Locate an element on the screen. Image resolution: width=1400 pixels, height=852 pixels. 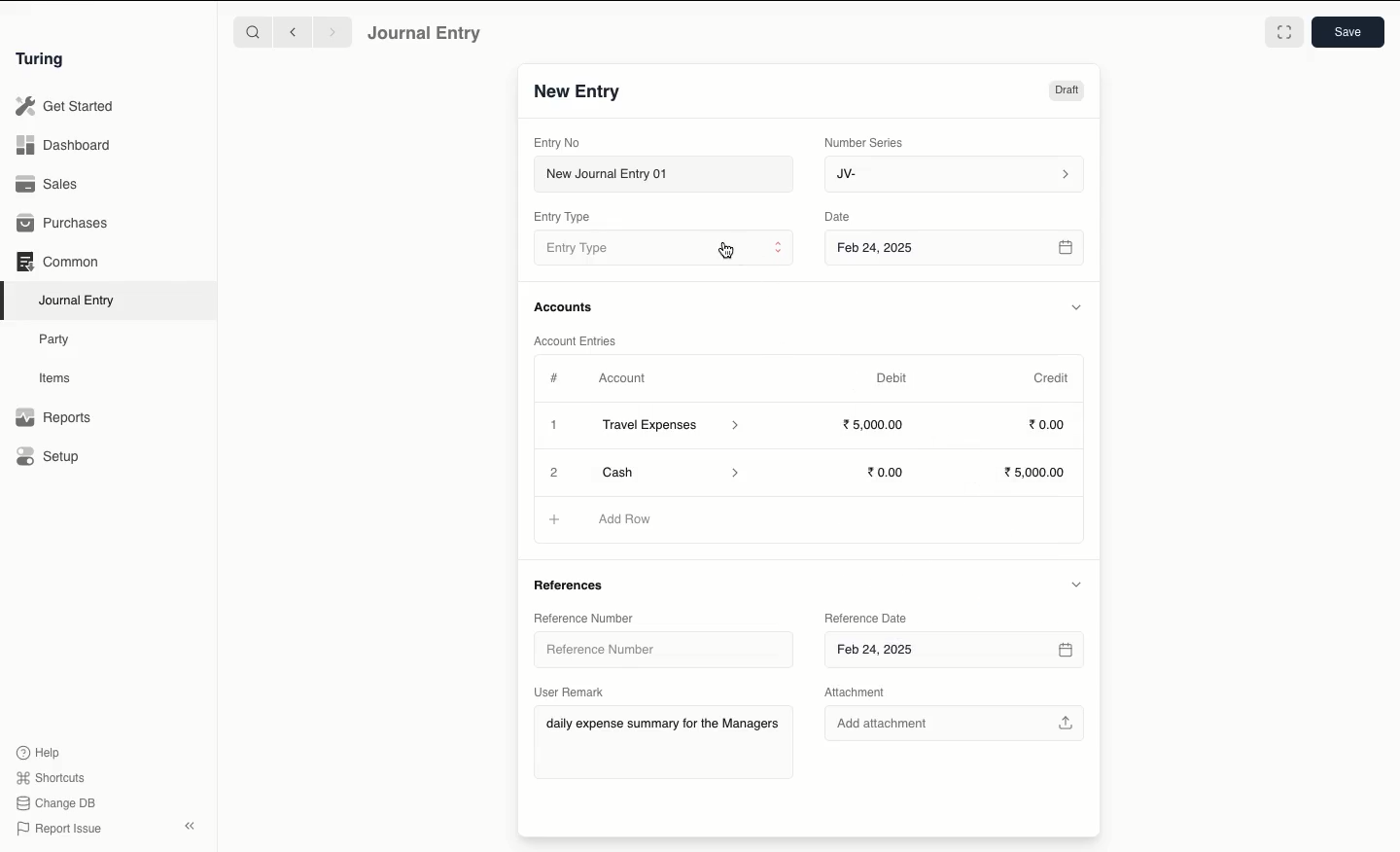
Entry Type is located at coordinates (562, 217).